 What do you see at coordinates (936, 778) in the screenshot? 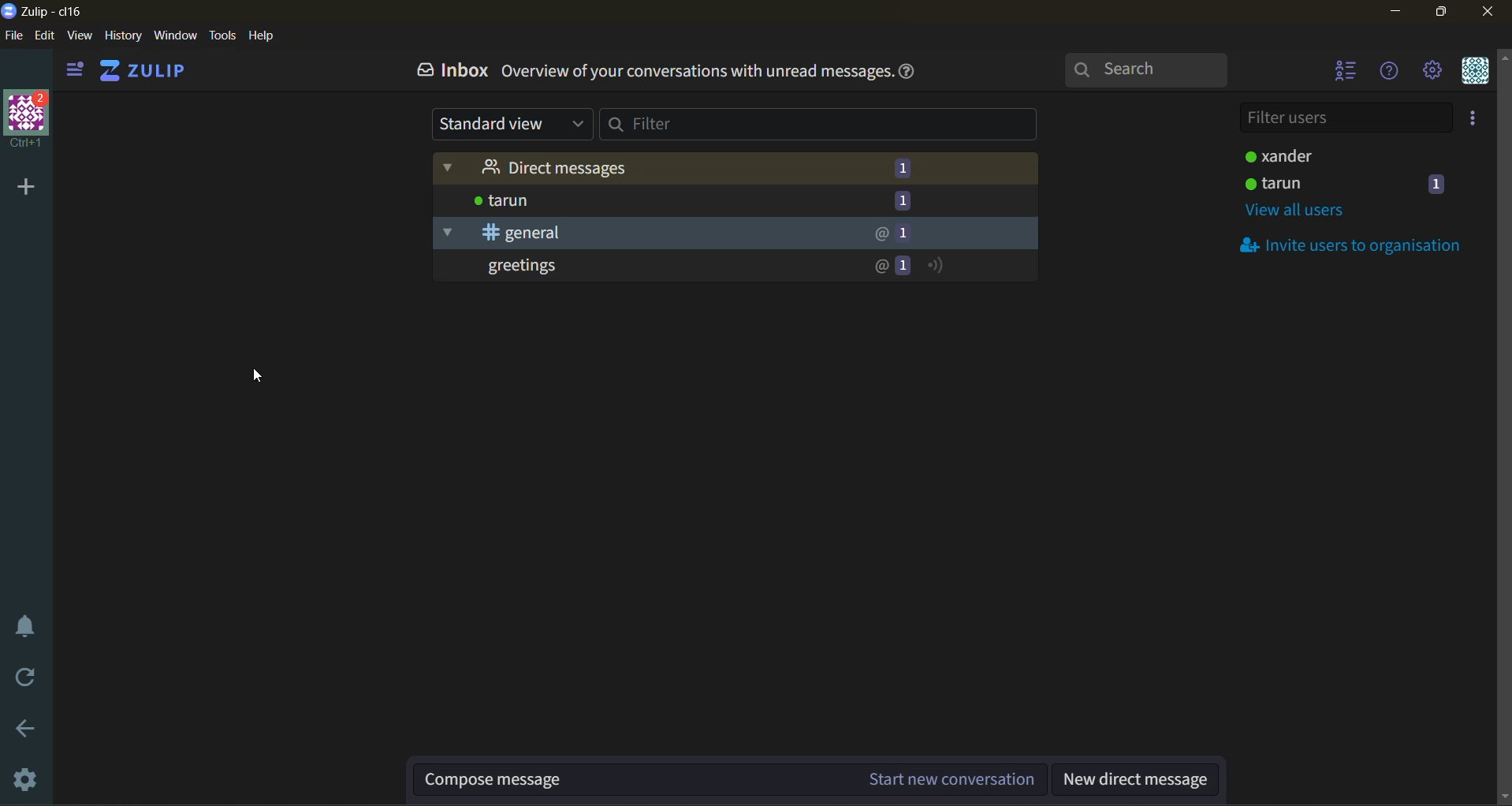
I see `Start new conversation` at bounding box center [936, 778].